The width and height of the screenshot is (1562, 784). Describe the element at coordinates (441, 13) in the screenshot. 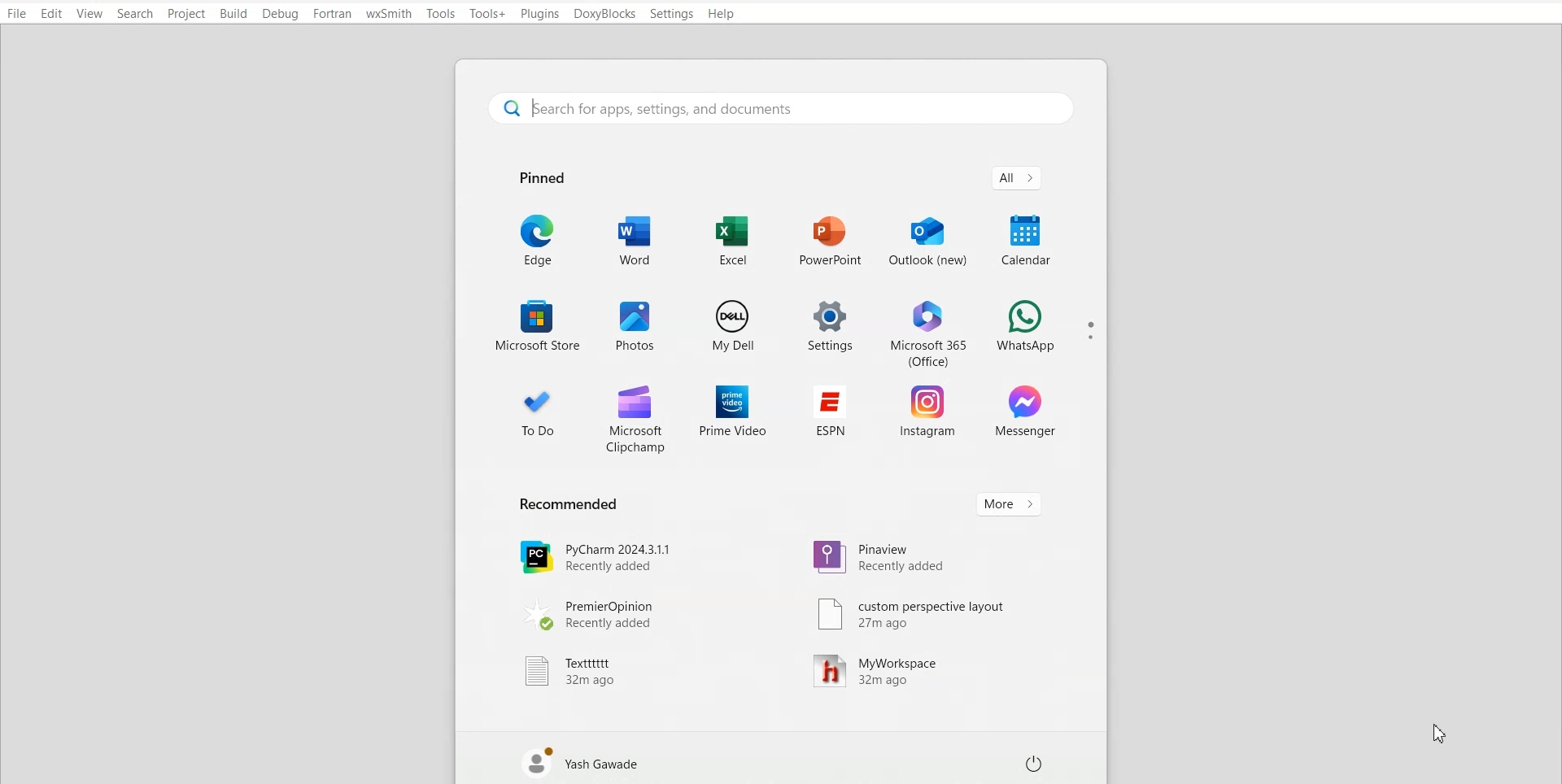

I see `Tool` at that location.